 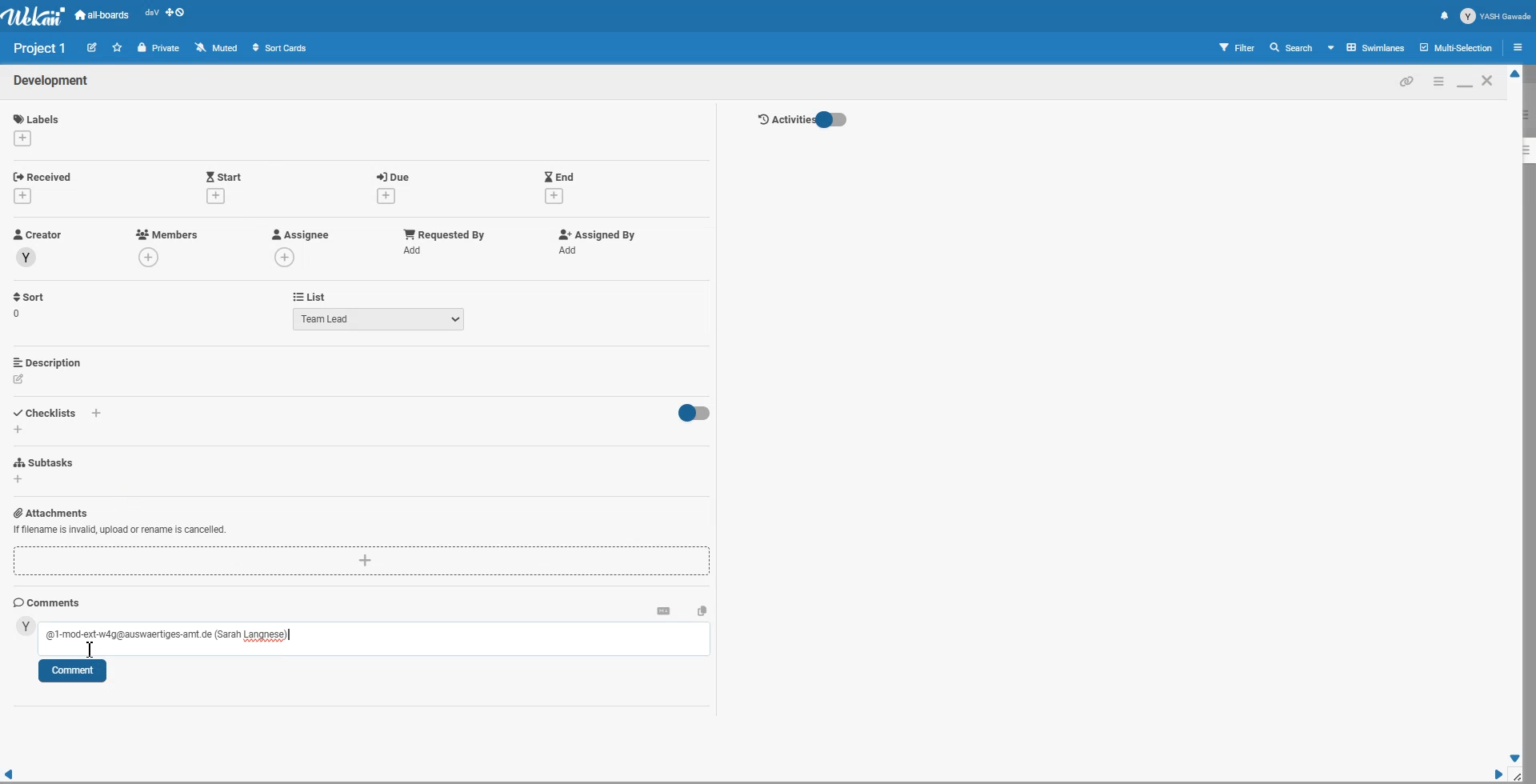 What do you see at coordinates (119, 530) in the screenshot?
I see `Add Attachments` at bounding box center [119, 530].